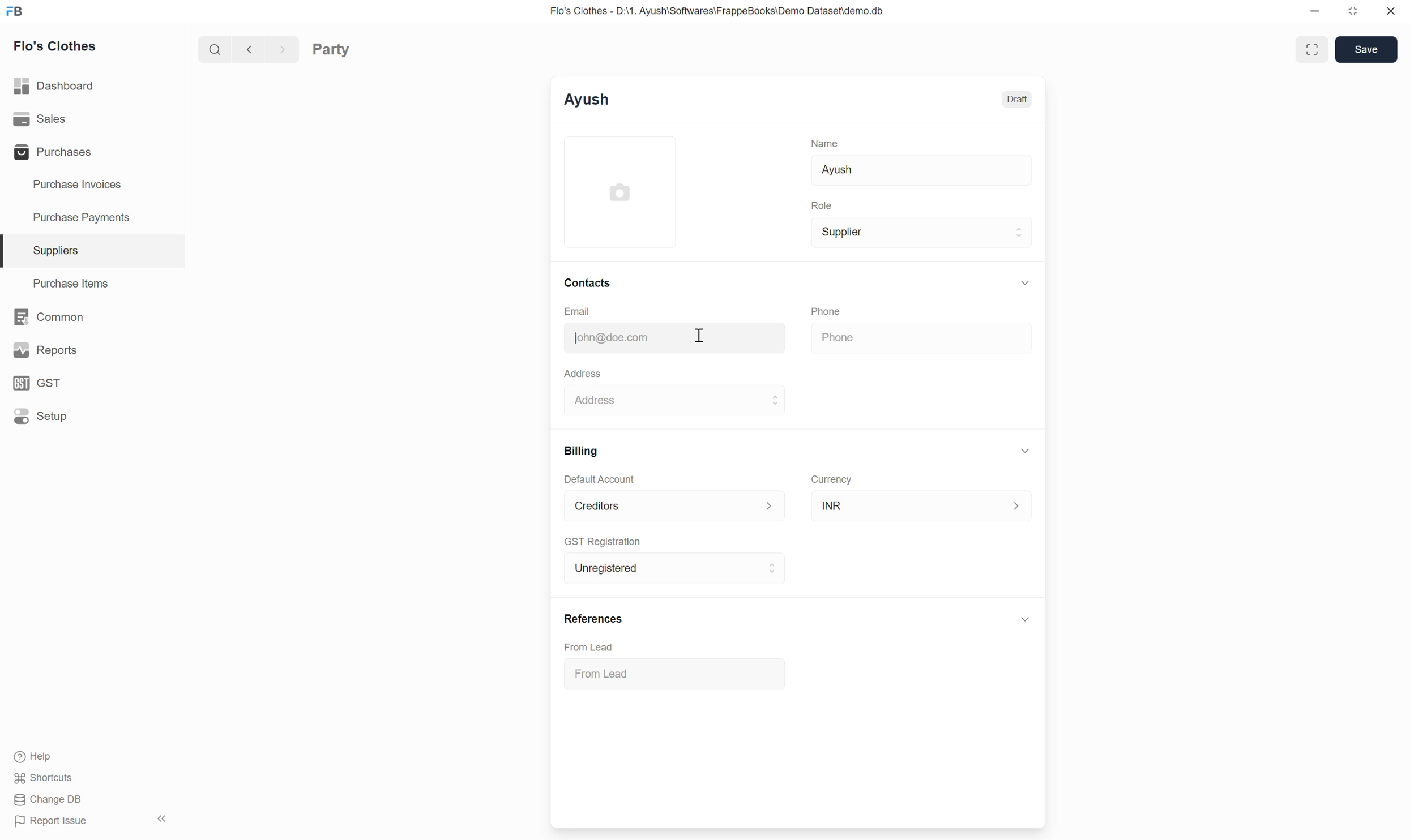 This screenshot has width=1410, height=840. What do you see at coordinates (14, 11) in the screenshot?
I see `Frappe Books logo` at bounding box center [14, 11].